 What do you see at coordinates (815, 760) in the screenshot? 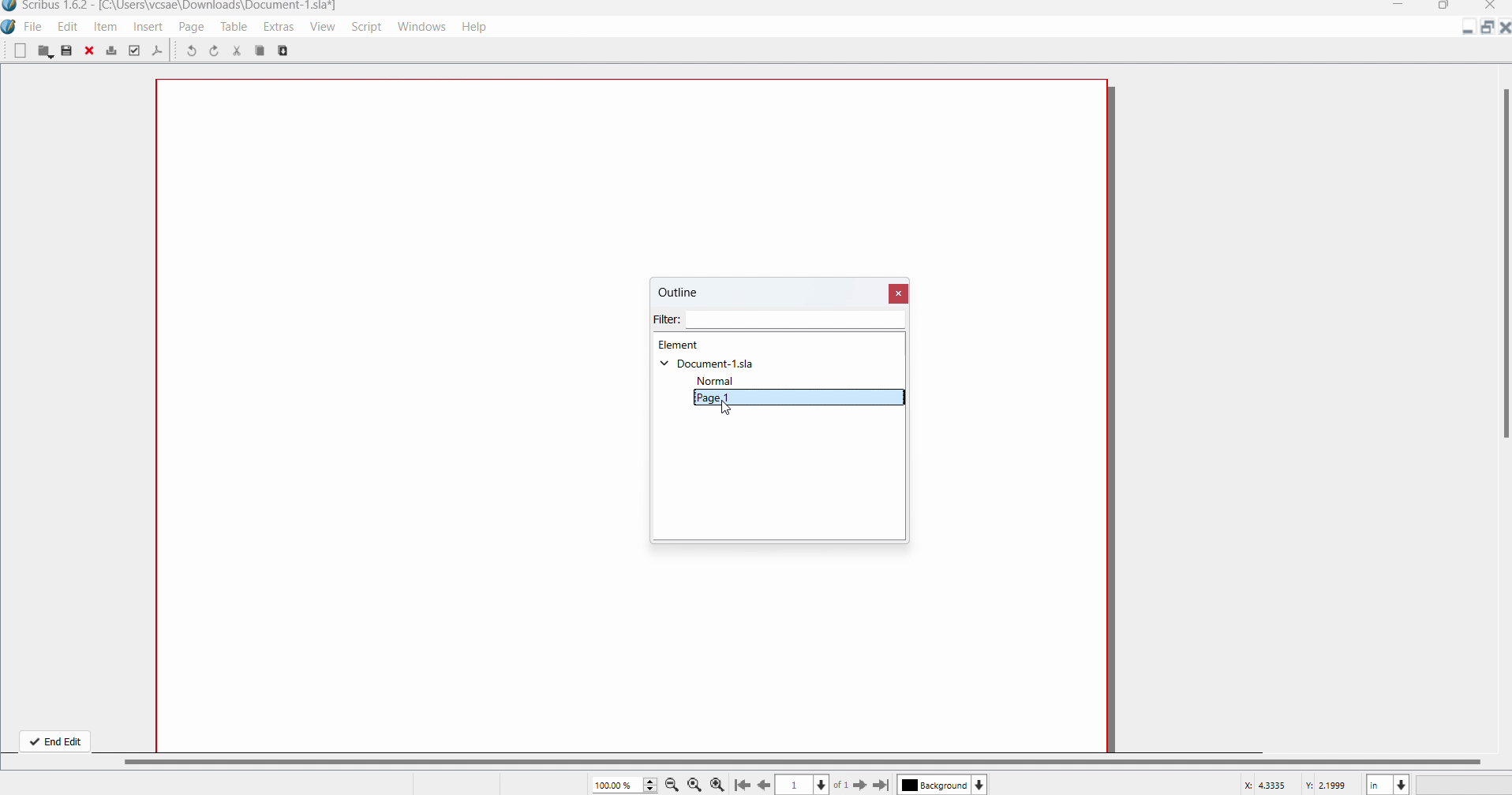
I see `vertical scroll bar` at bounding box center [815, 760].